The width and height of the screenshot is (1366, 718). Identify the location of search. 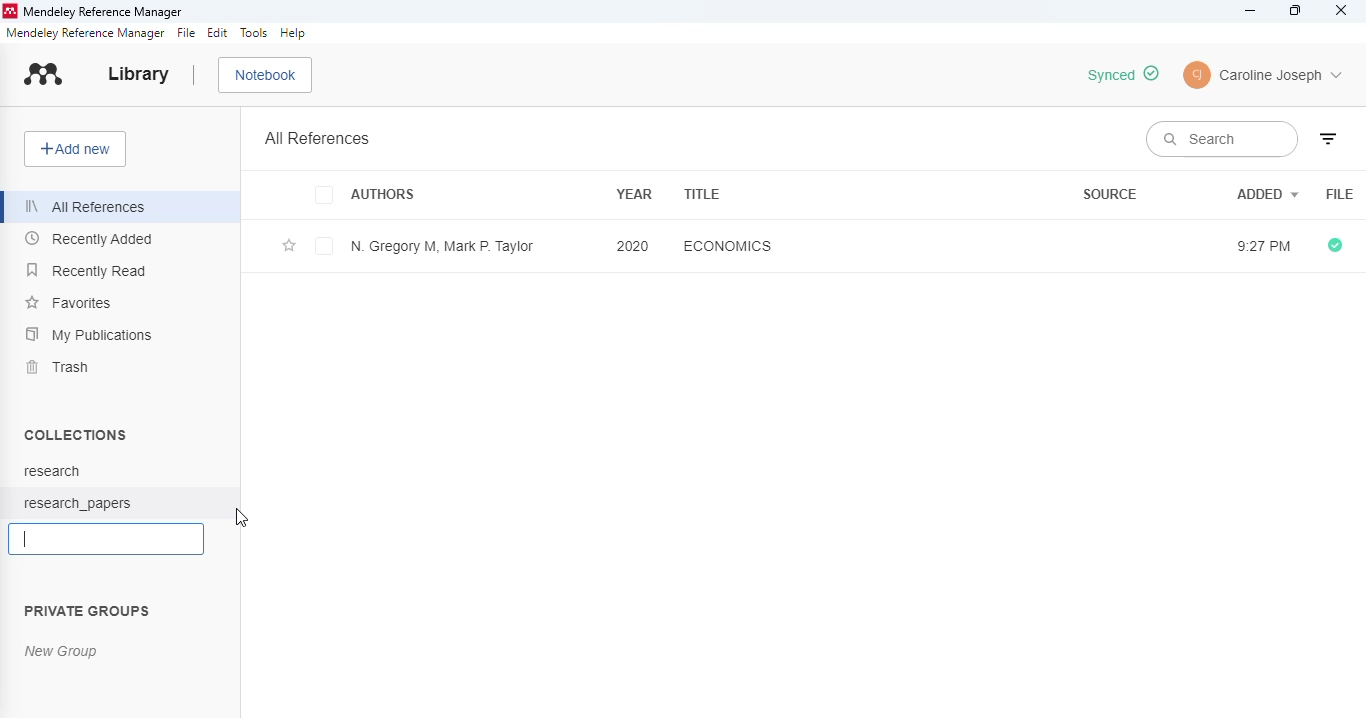
(1221, 139).